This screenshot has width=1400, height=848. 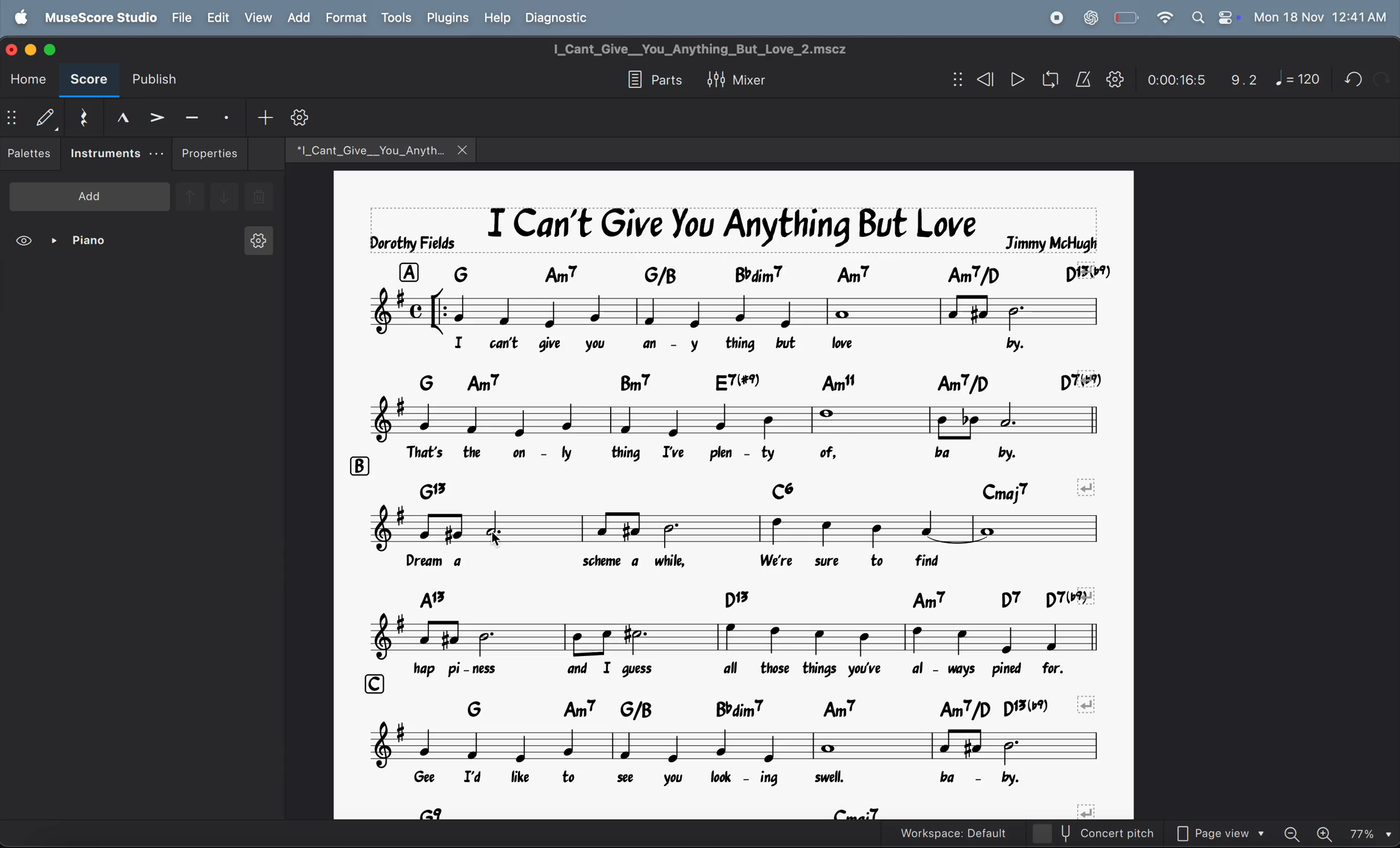 I want to click on tools, so click(x=398, y=18).